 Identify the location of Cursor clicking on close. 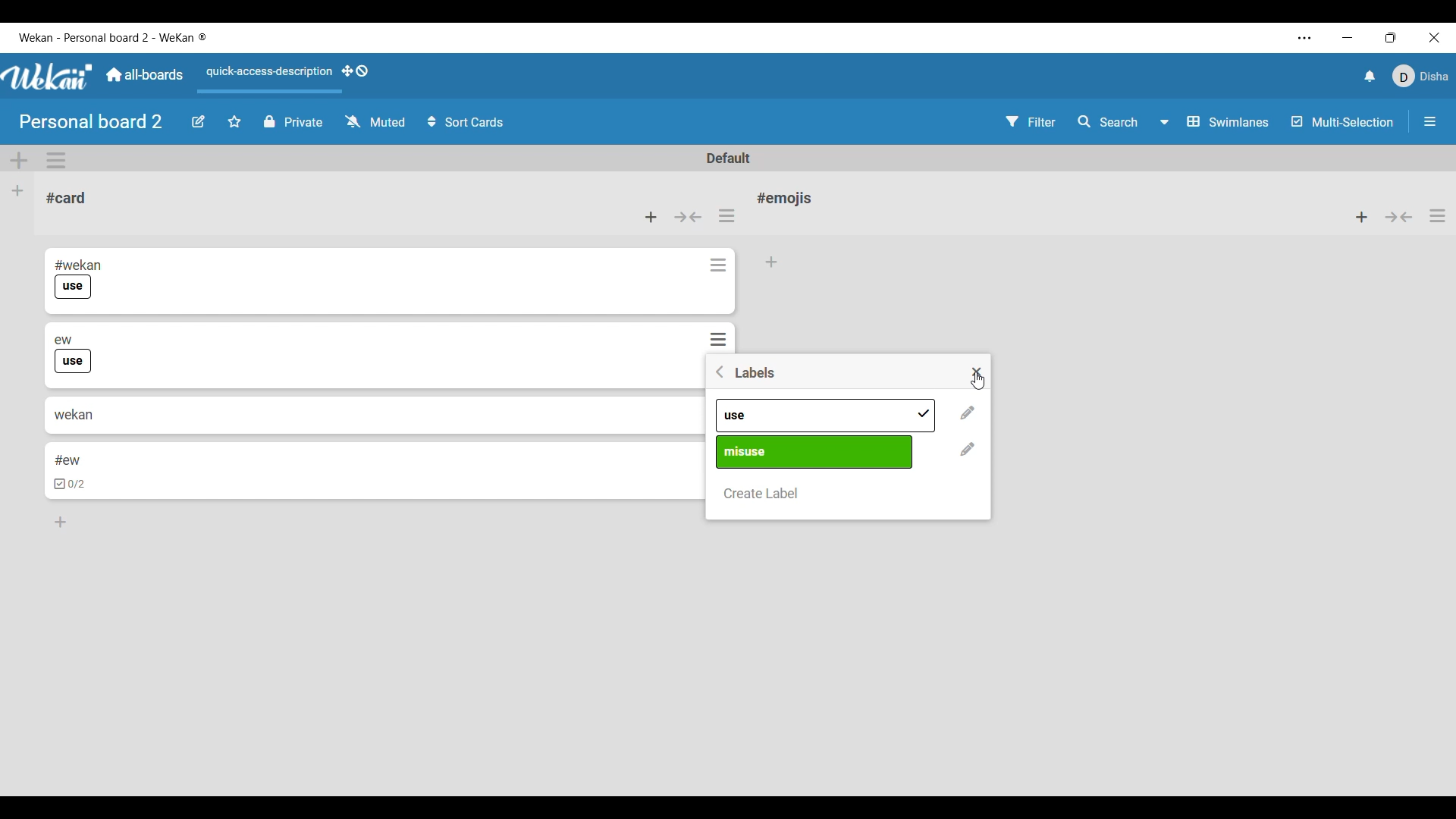
(977, 381).